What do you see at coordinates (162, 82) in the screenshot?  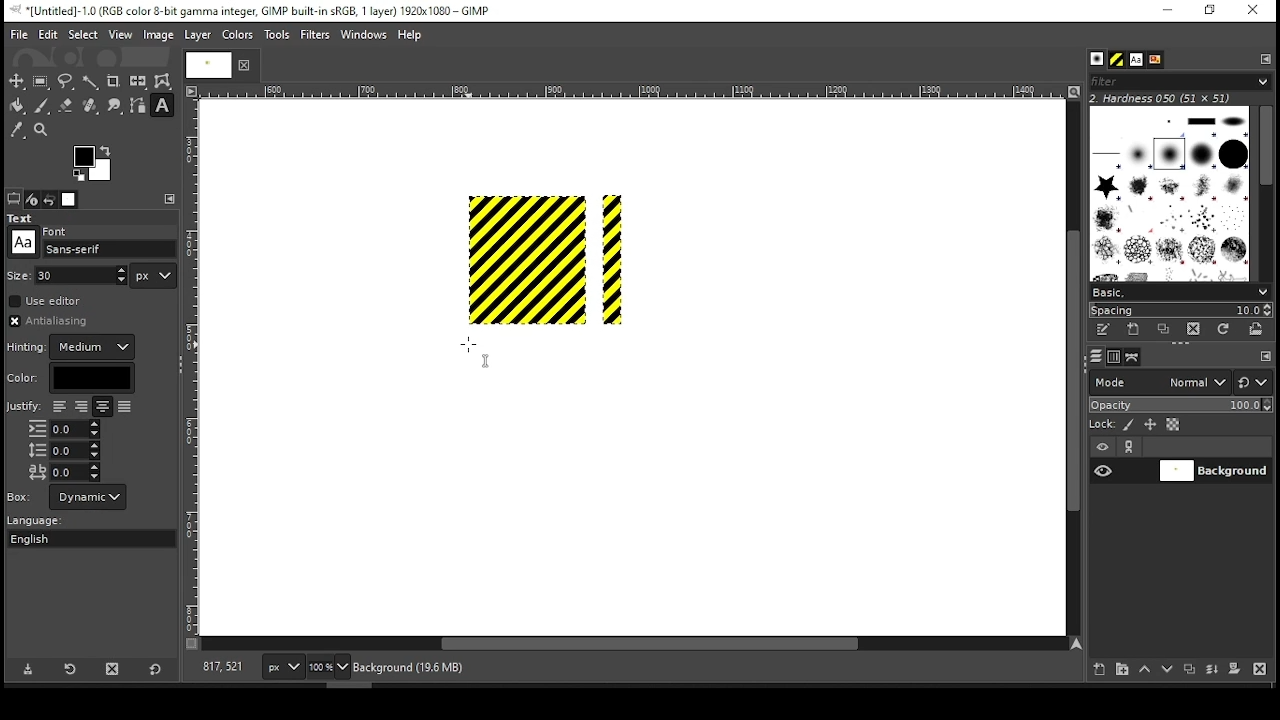 I see `warp transform tool` at bounding box center [162, 82].